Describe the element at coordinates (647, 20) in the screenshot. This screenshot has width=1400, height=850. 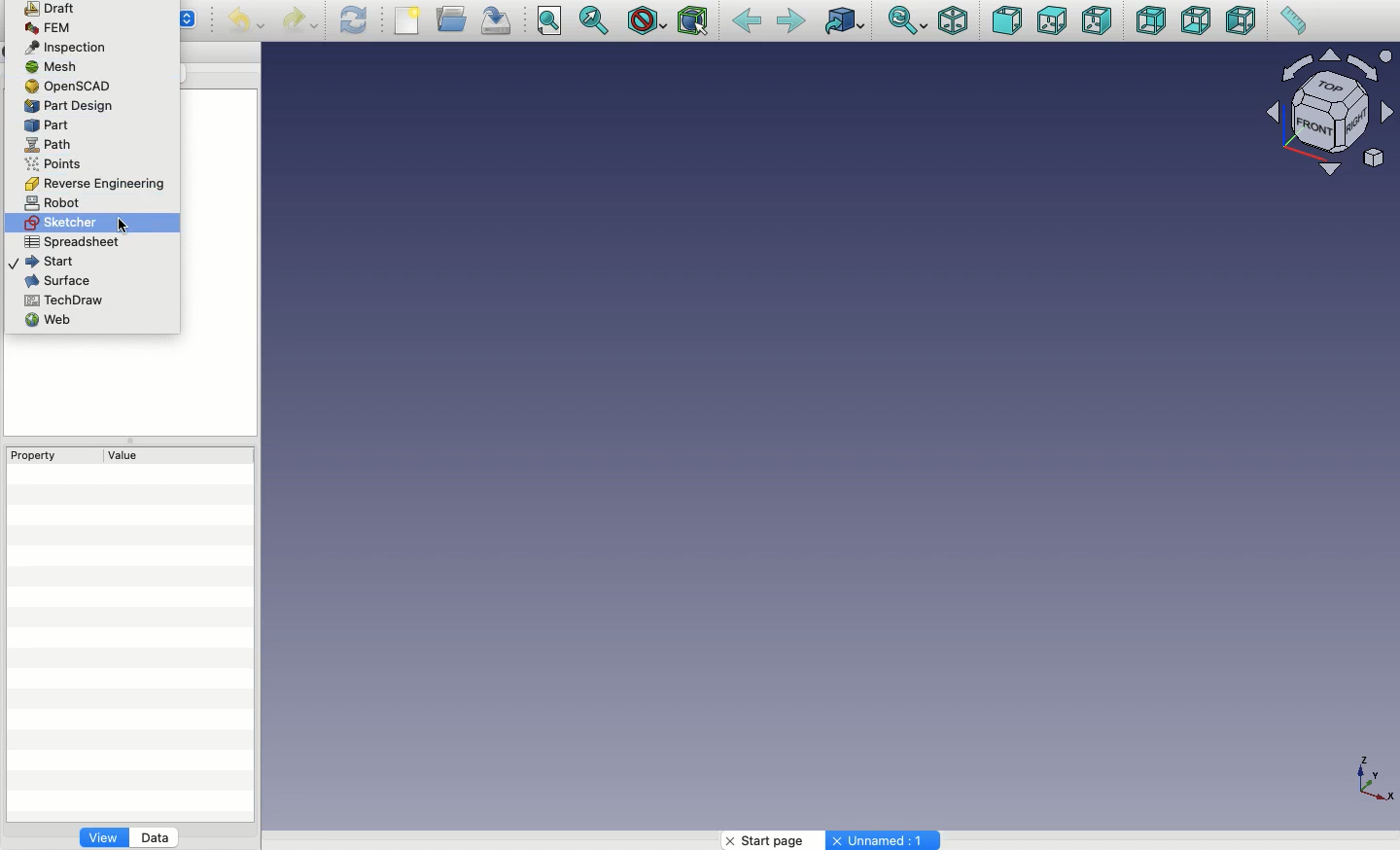
I see `Draw style` at that location.